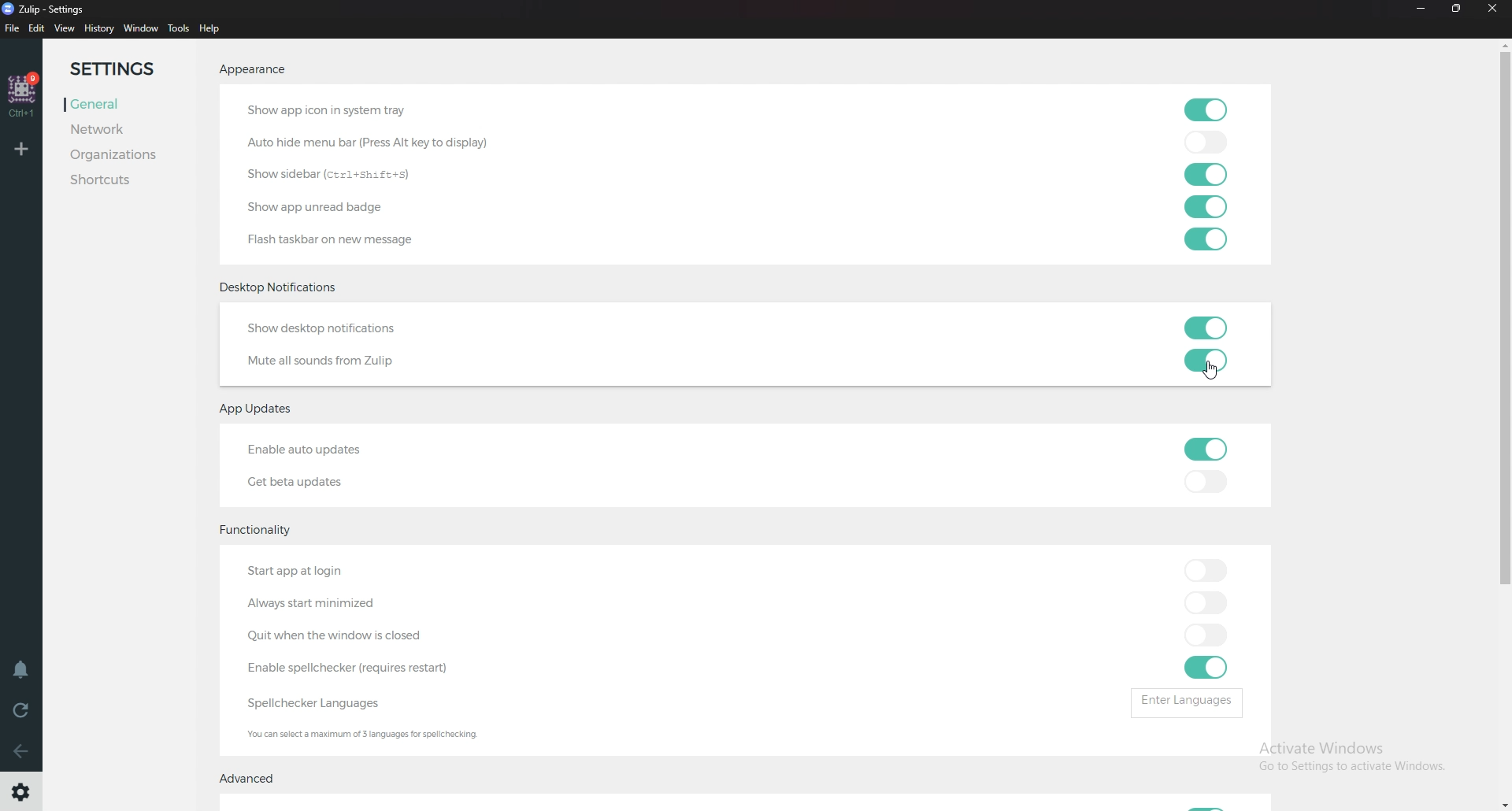  I want to click on minimize, so click(1422, 9).